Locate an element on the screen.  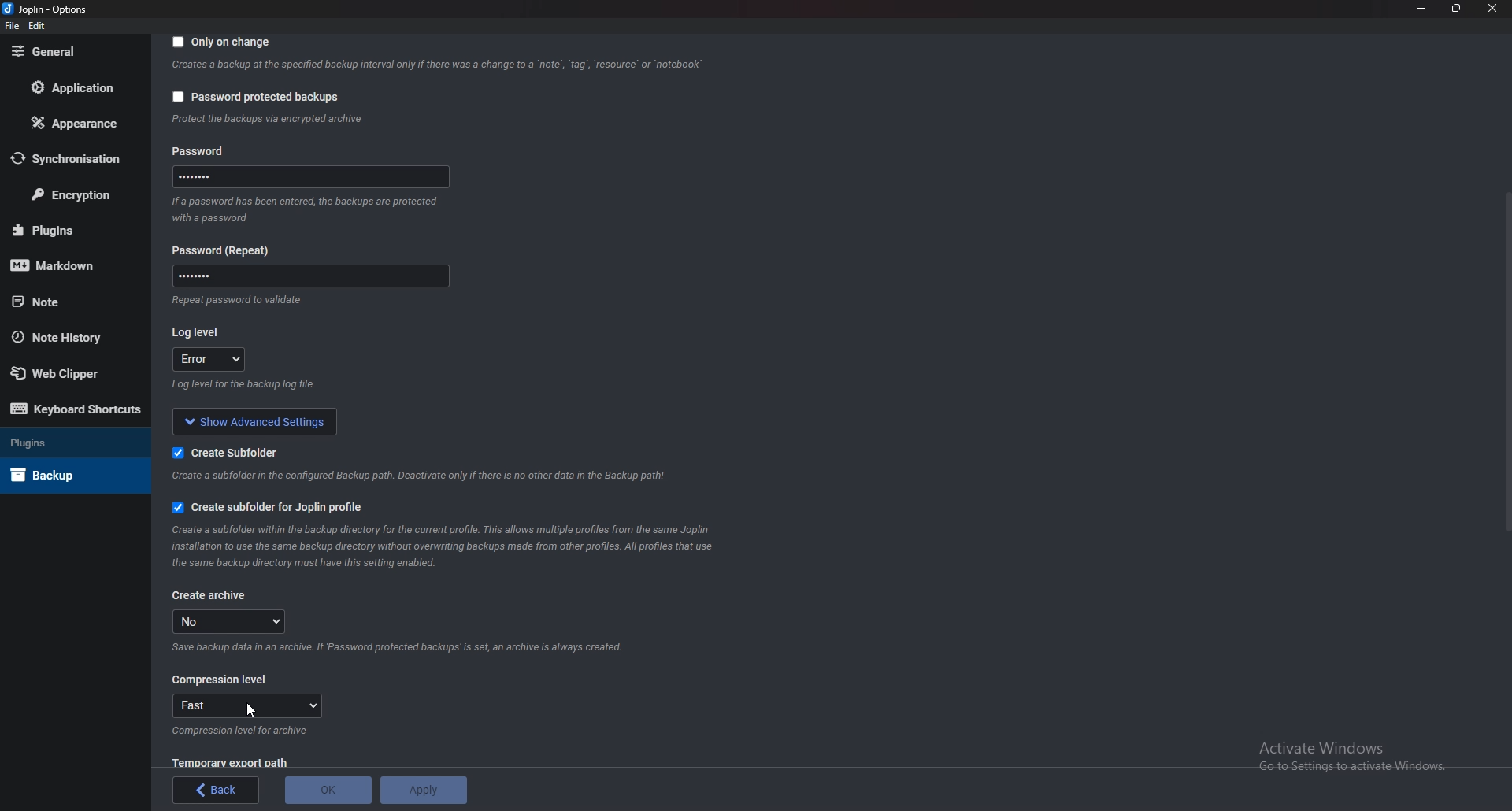
Password is located at coordinates (308, 180).